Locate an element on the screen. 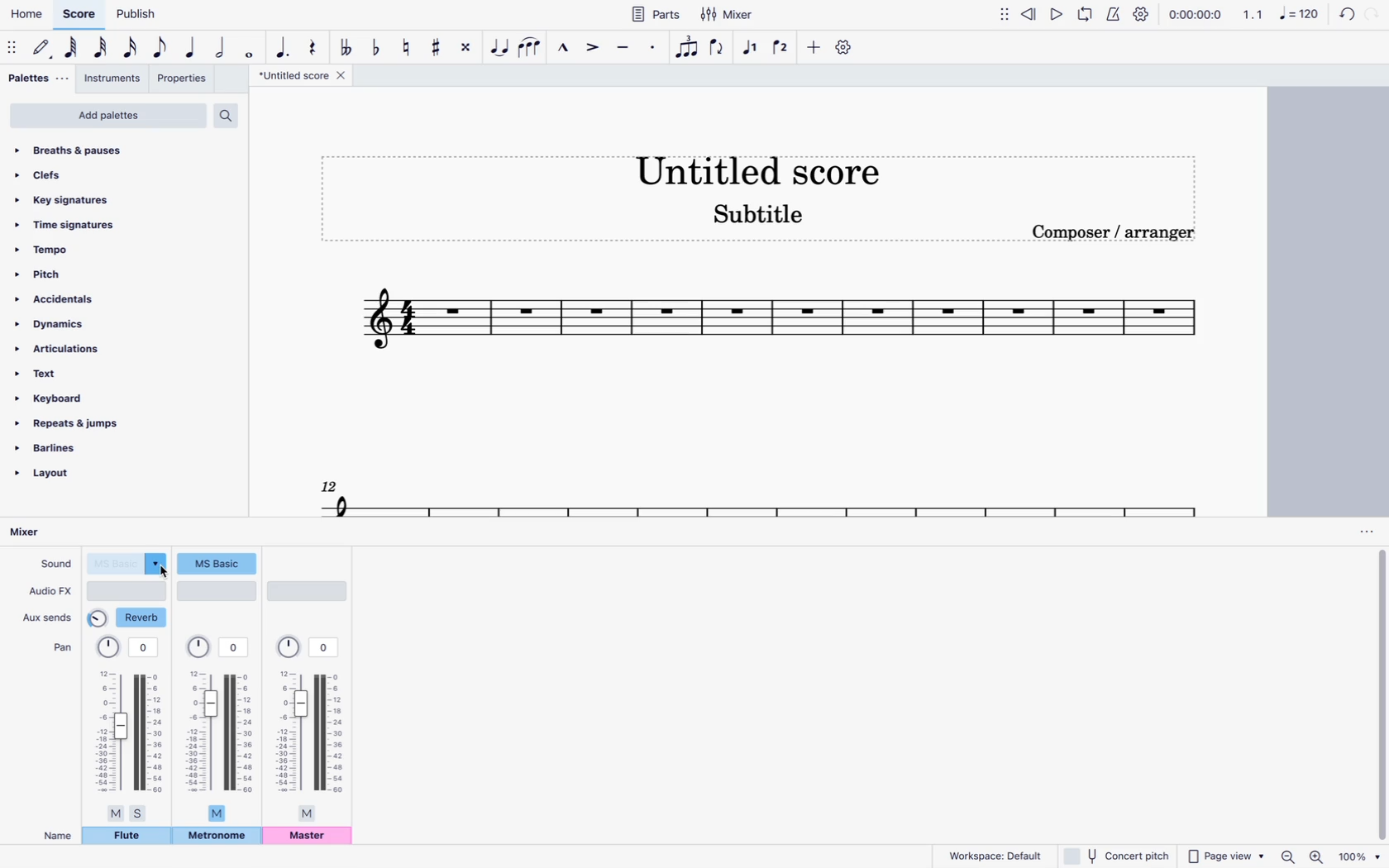 This screenshot has height=868, width=1389. text is located at coordinates (61, 375).